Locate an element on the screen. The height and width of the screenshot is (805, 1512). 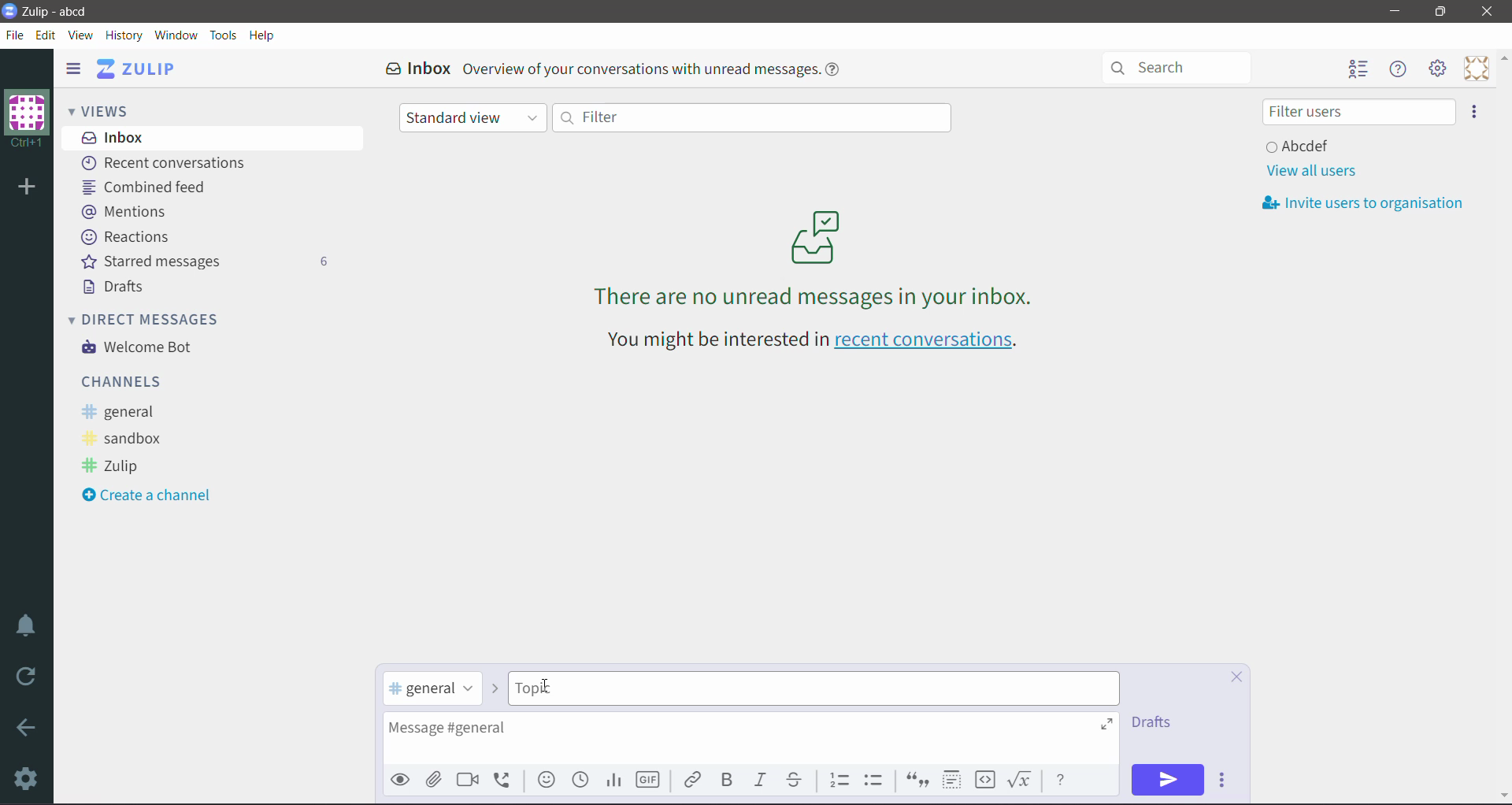
Combined feed is located at coordinates (150, 187).